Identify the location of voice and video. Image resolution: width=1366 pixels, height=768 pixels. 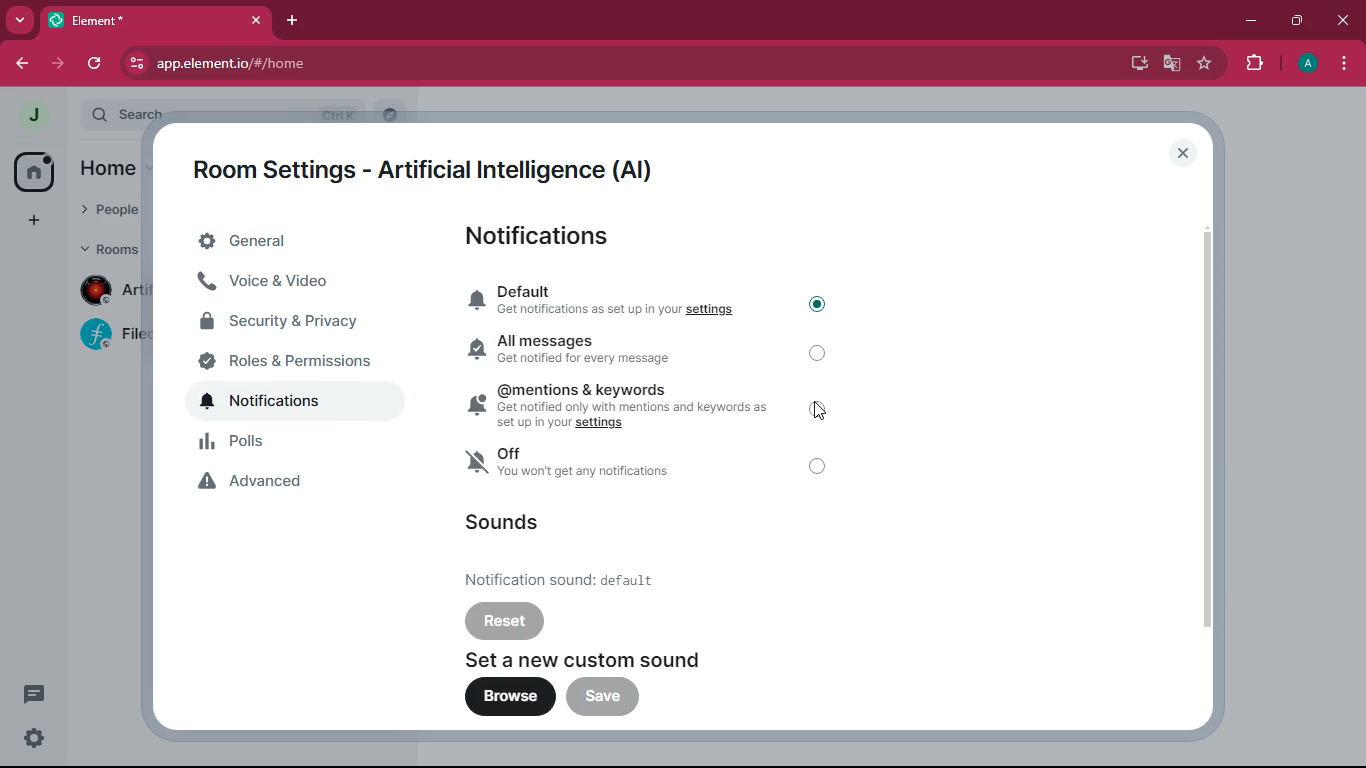
(294, 284).